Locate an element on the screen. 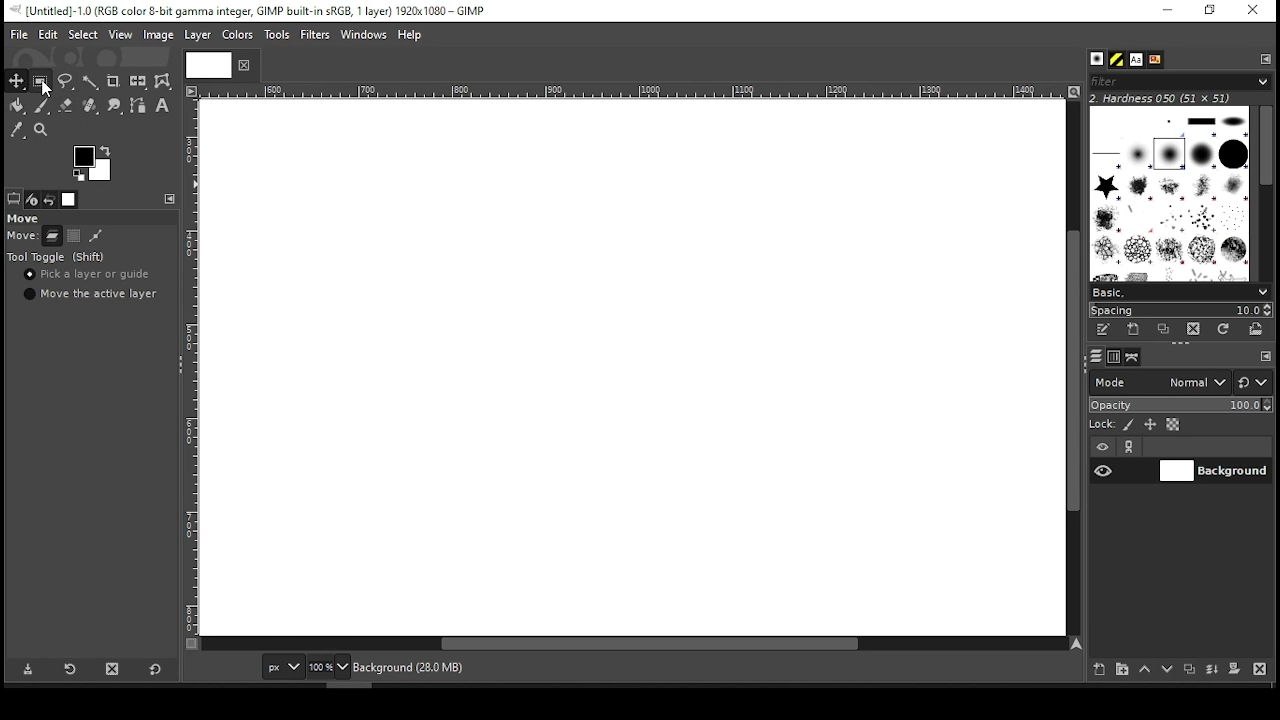 This screenshot has height=720, width=1280. background (28.0mb) is located at coordinates (408, 669).